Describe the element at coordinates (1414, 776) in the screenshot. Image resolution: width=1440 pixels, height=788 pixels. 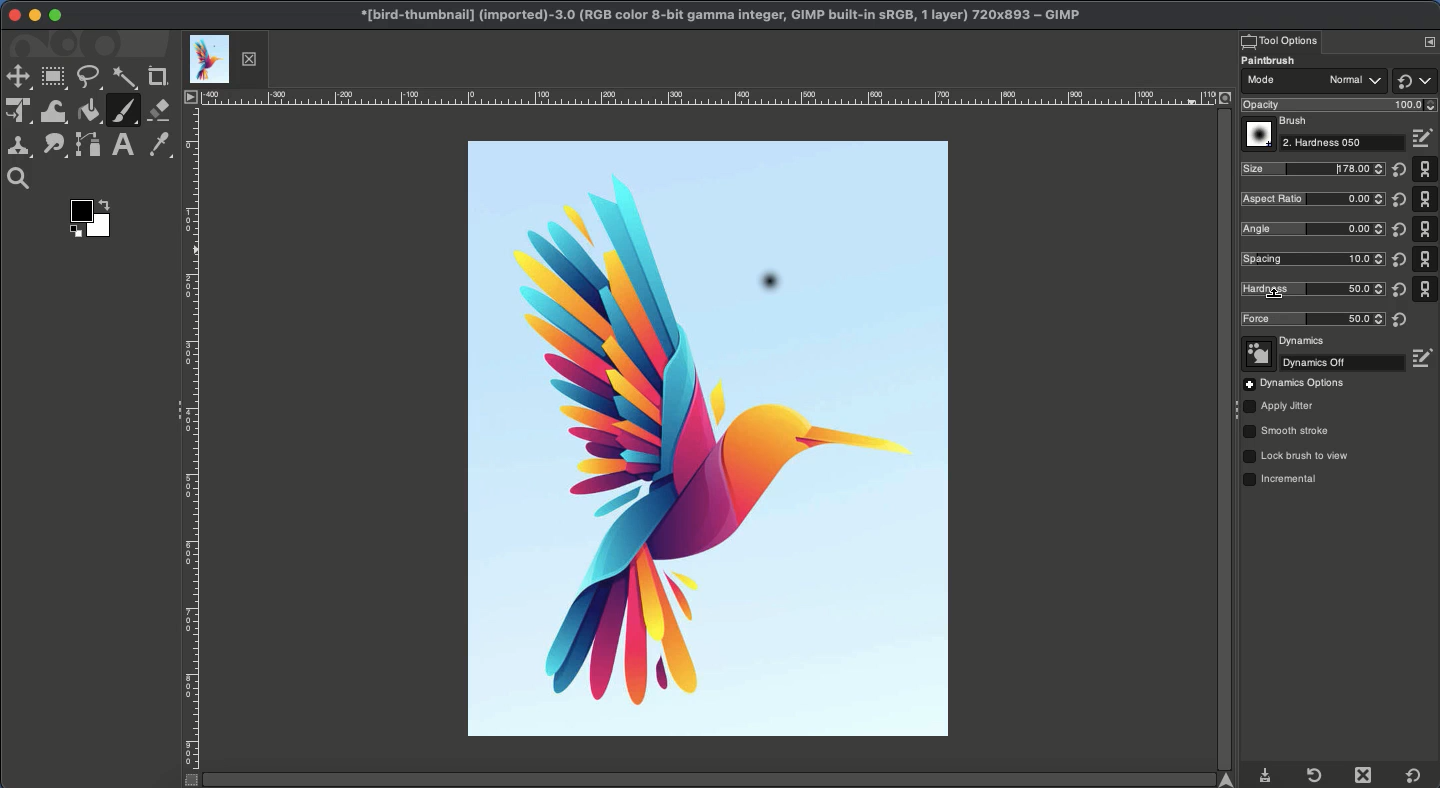
I see `Default` at that location.